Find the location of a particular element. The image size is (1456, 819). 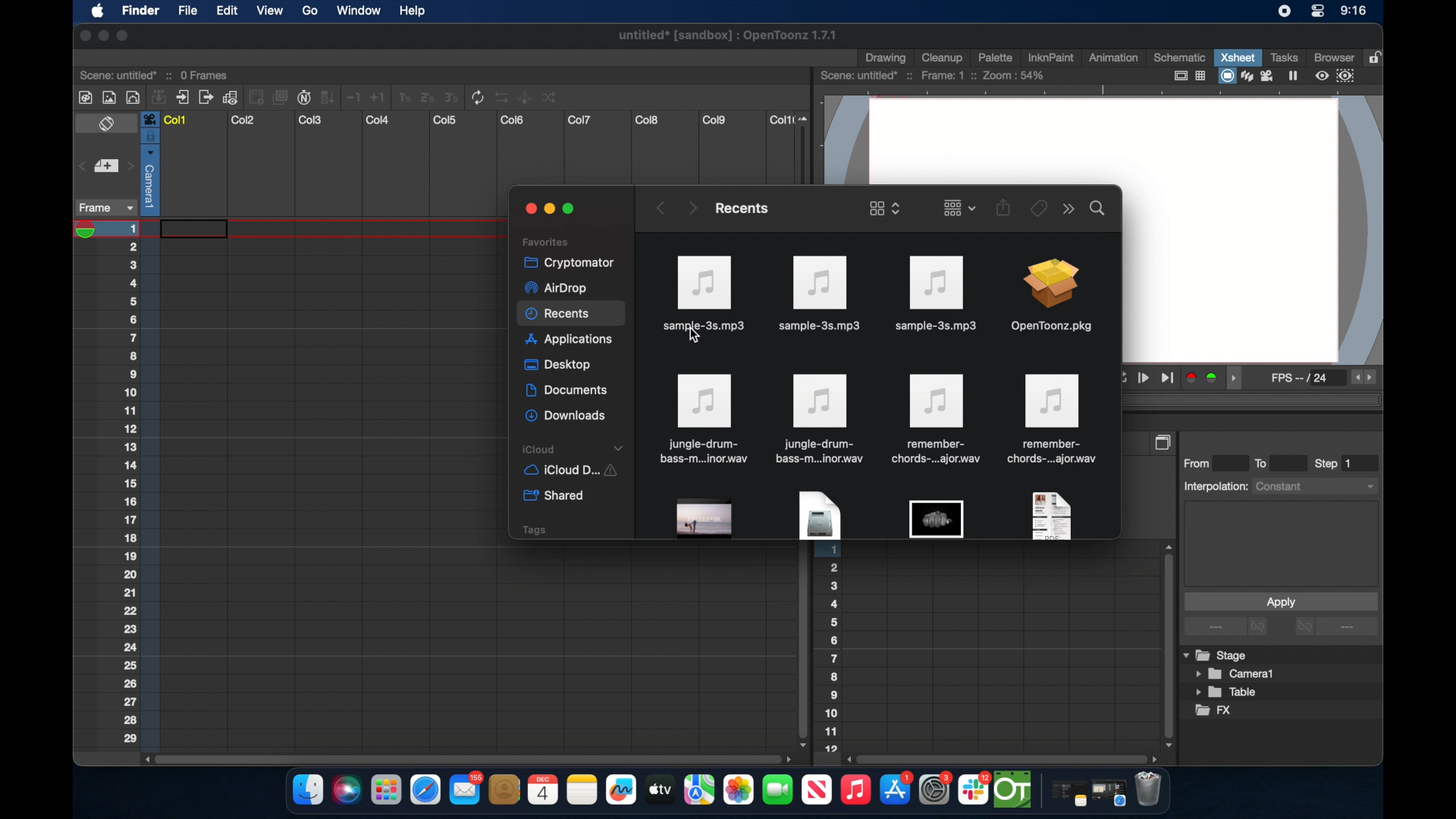

maximize is located at coordinates (572, 209).